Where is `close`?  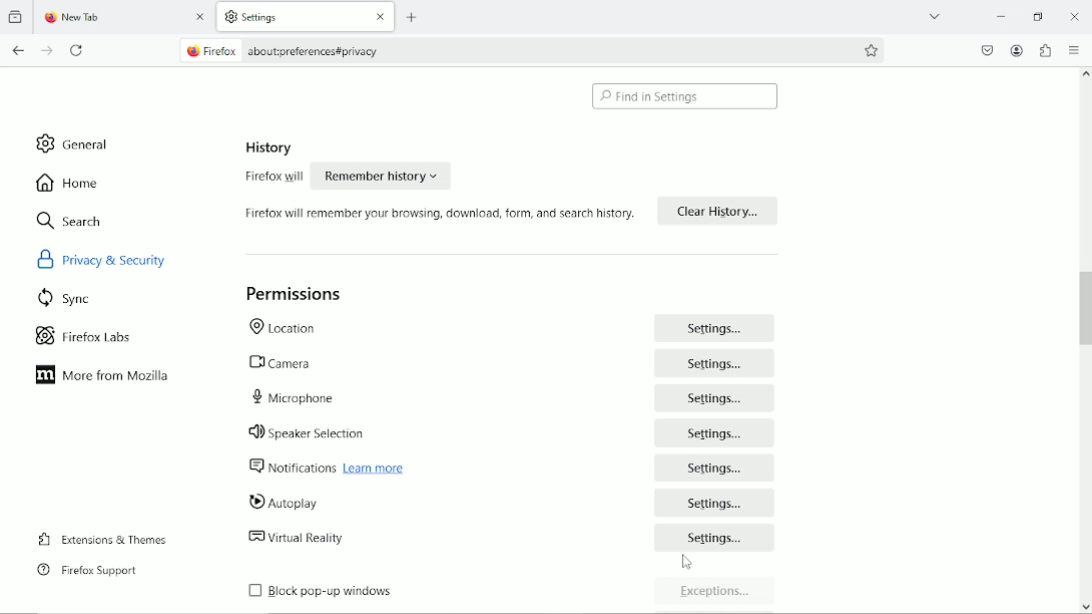
close is located at coordinates (378, 18).